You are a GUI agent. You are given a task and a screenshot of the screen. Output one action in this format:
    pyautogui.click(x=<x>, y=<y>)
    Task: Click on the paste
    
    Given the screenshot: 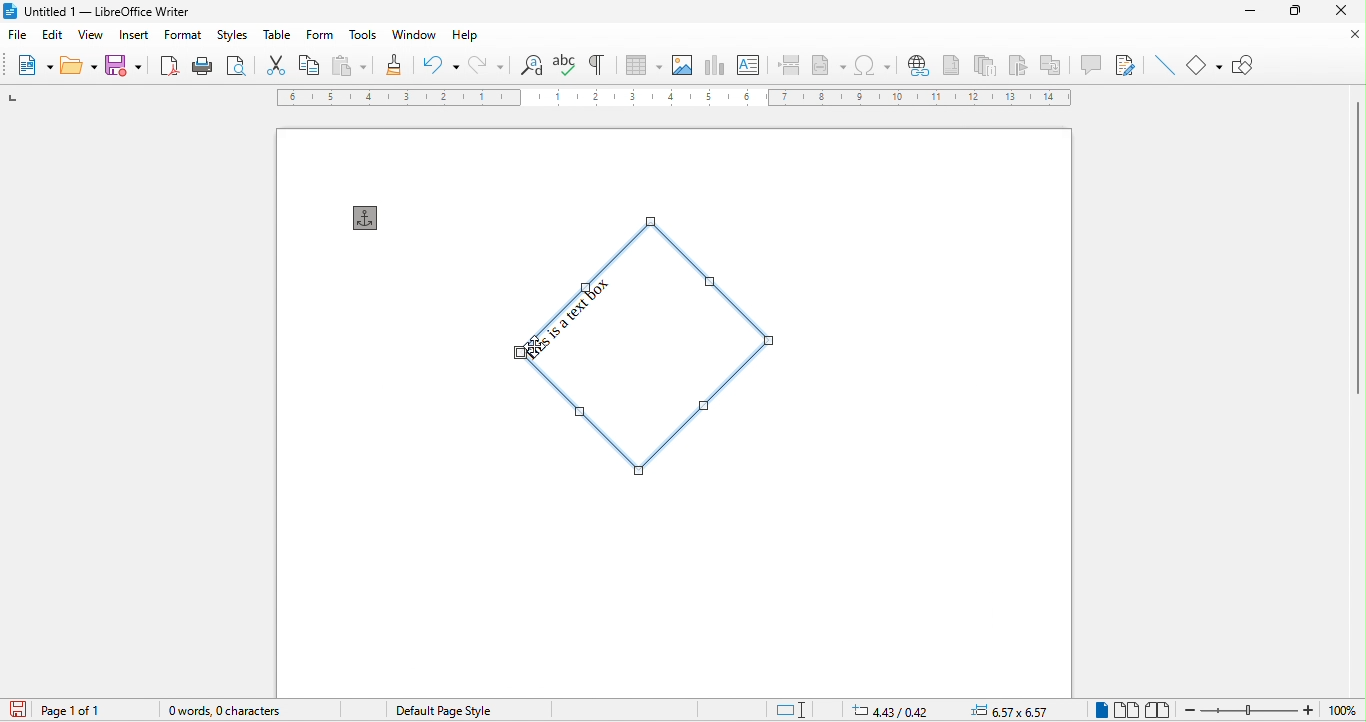 What is the action you would take?
    pyautogui.click(x=348, y=66)
    